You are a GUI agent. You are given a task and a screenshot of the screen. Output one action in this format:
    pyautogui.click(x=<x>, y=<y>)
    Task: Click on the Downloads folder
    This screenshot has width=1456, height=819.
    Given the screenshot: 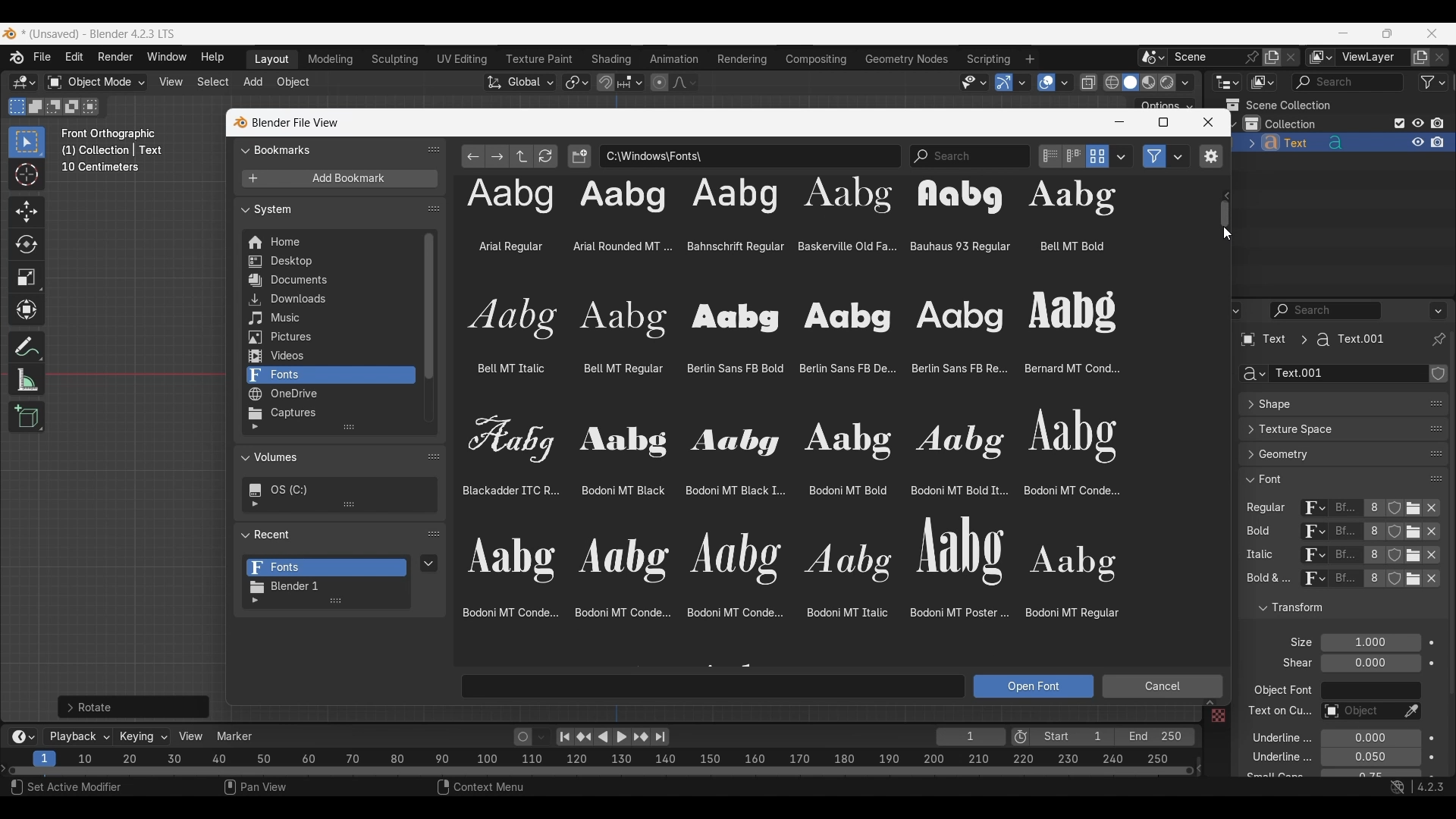 What is the action you would take?
    pyautogui.click(x=329, y=300)
    